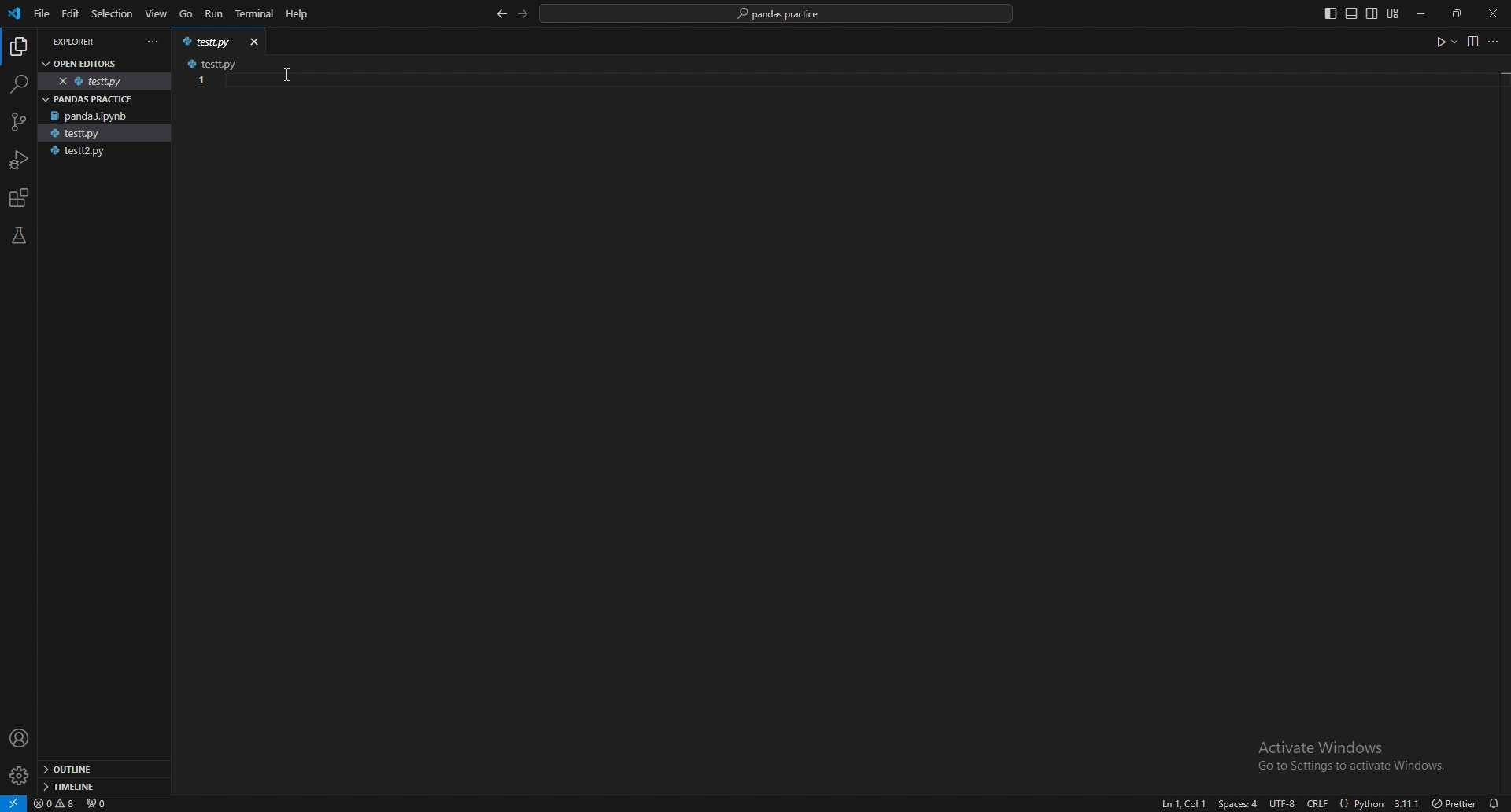 The width and height of the screenshot is (1511, 812). Describe the element at coordinates (95, 97) in the screenshot. I see `pandas practice` at that location.